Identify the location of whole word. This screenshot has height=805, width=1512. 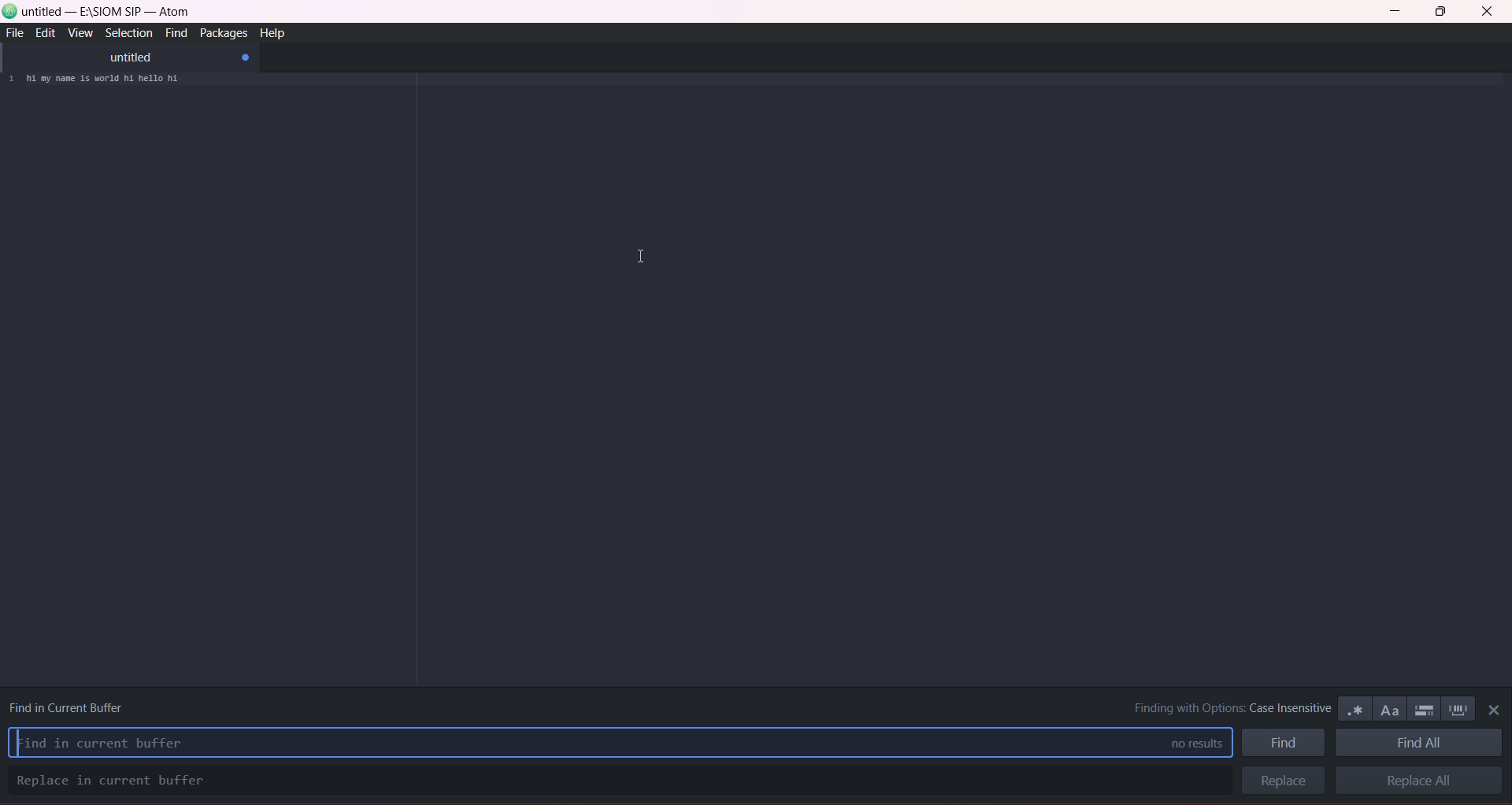
(1458, 708).